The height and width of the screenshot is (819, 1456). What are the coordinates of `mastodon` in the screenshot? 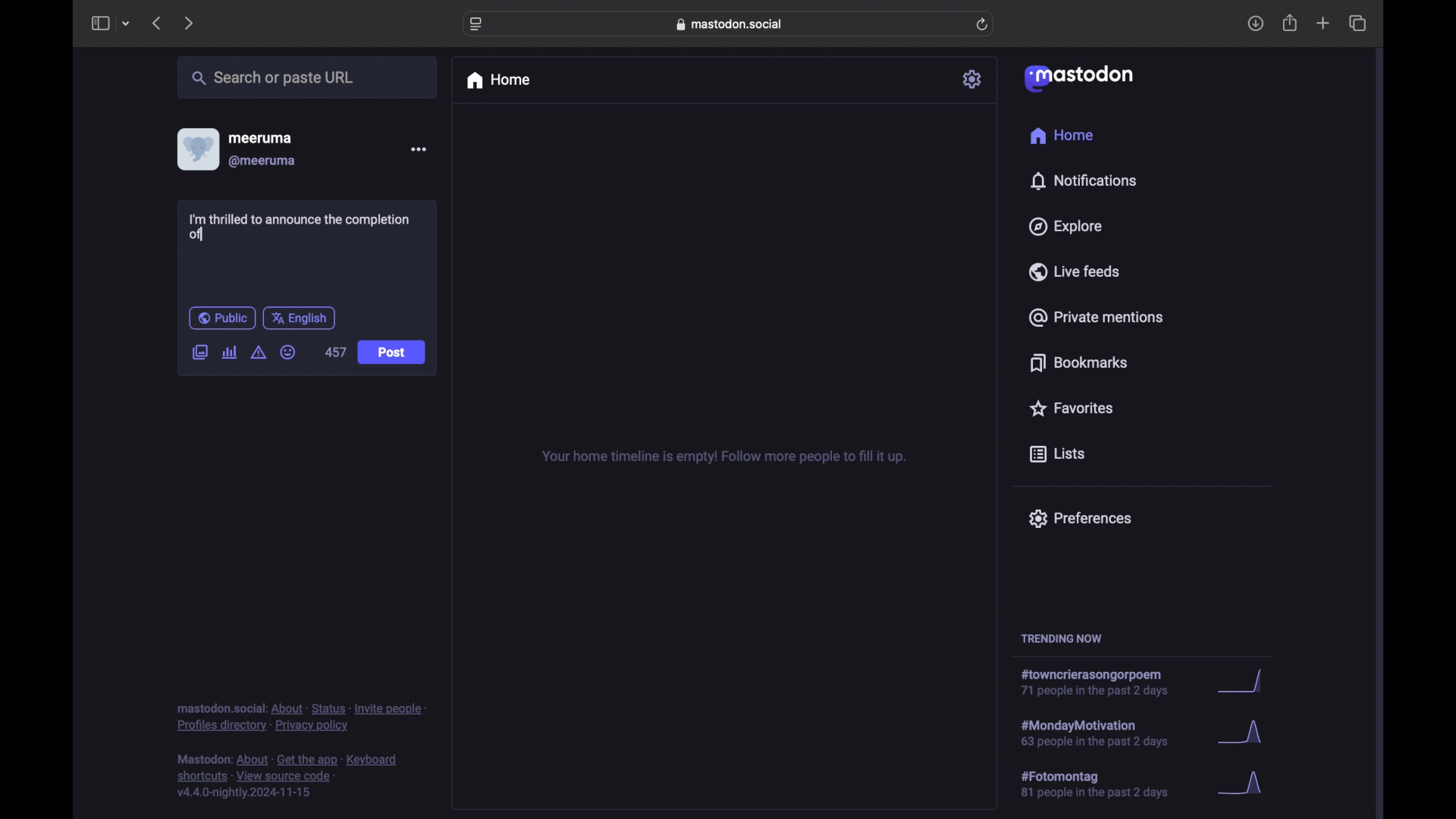 It's located at (1079, 79).